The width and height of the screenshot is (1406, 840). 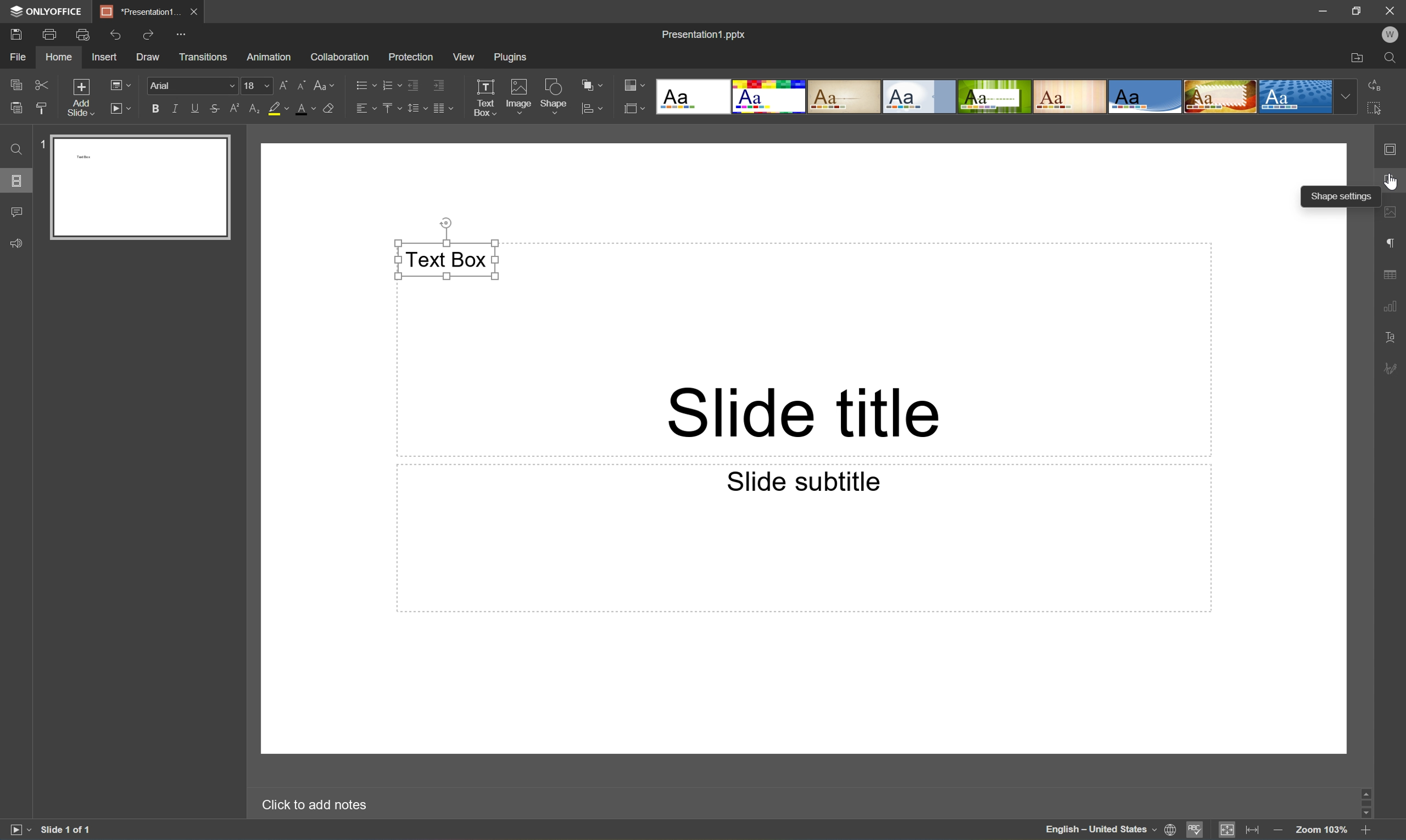 I want to click on Slide title, so click(x=804, y=410).